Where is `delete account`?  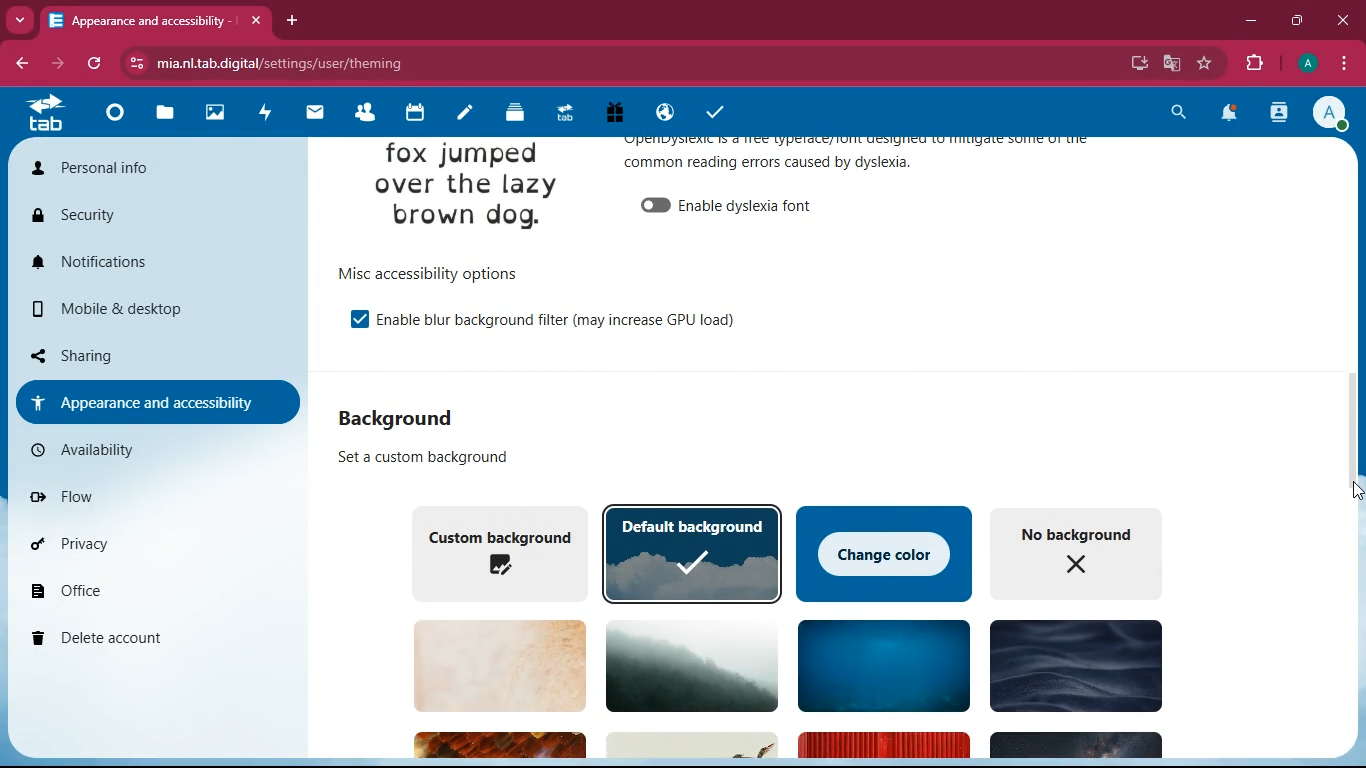
delete account is located at coordinates (147, 638).